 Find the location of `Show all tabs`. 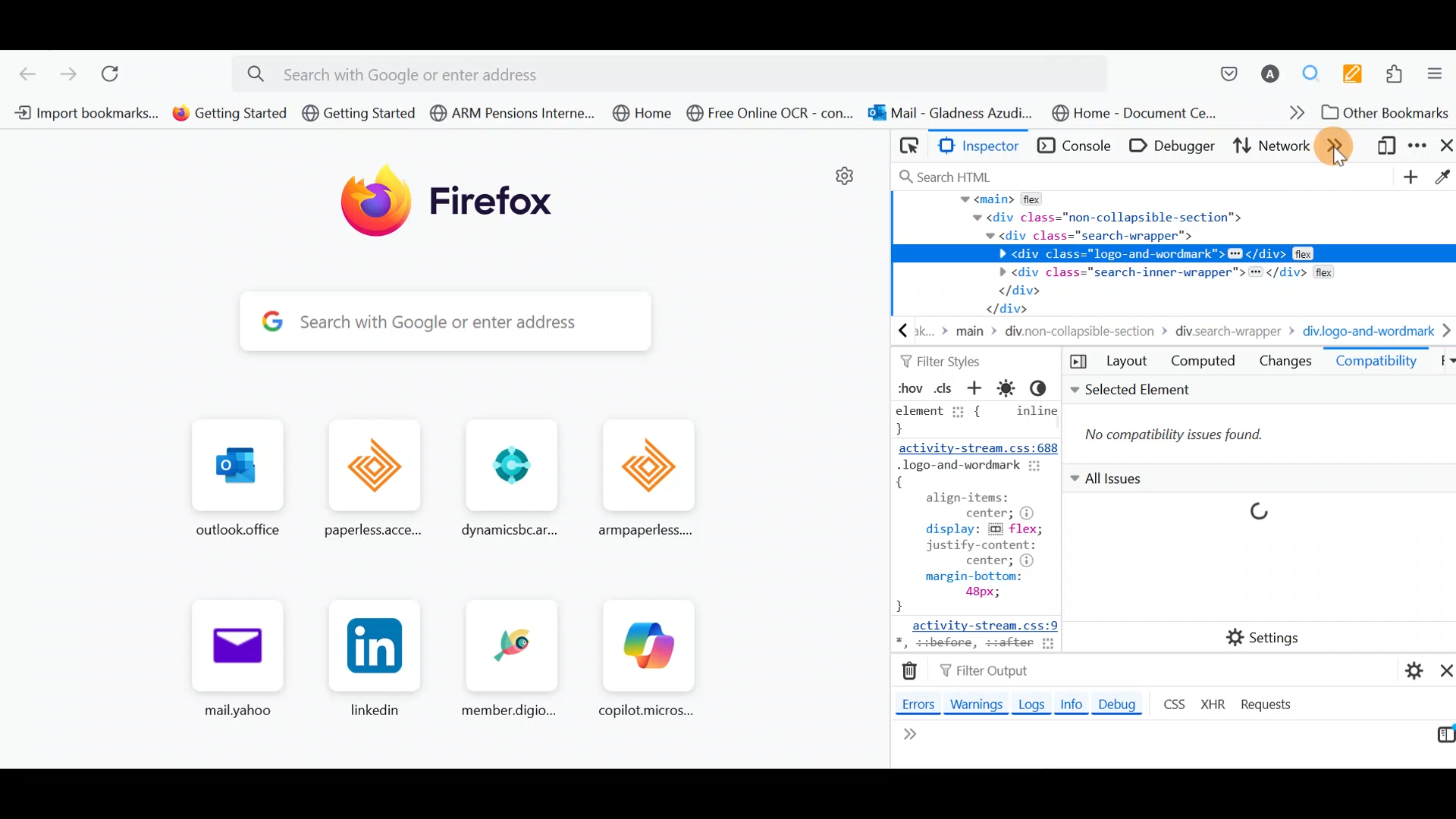

Show all tabs is located at coordinates (1442, 362).